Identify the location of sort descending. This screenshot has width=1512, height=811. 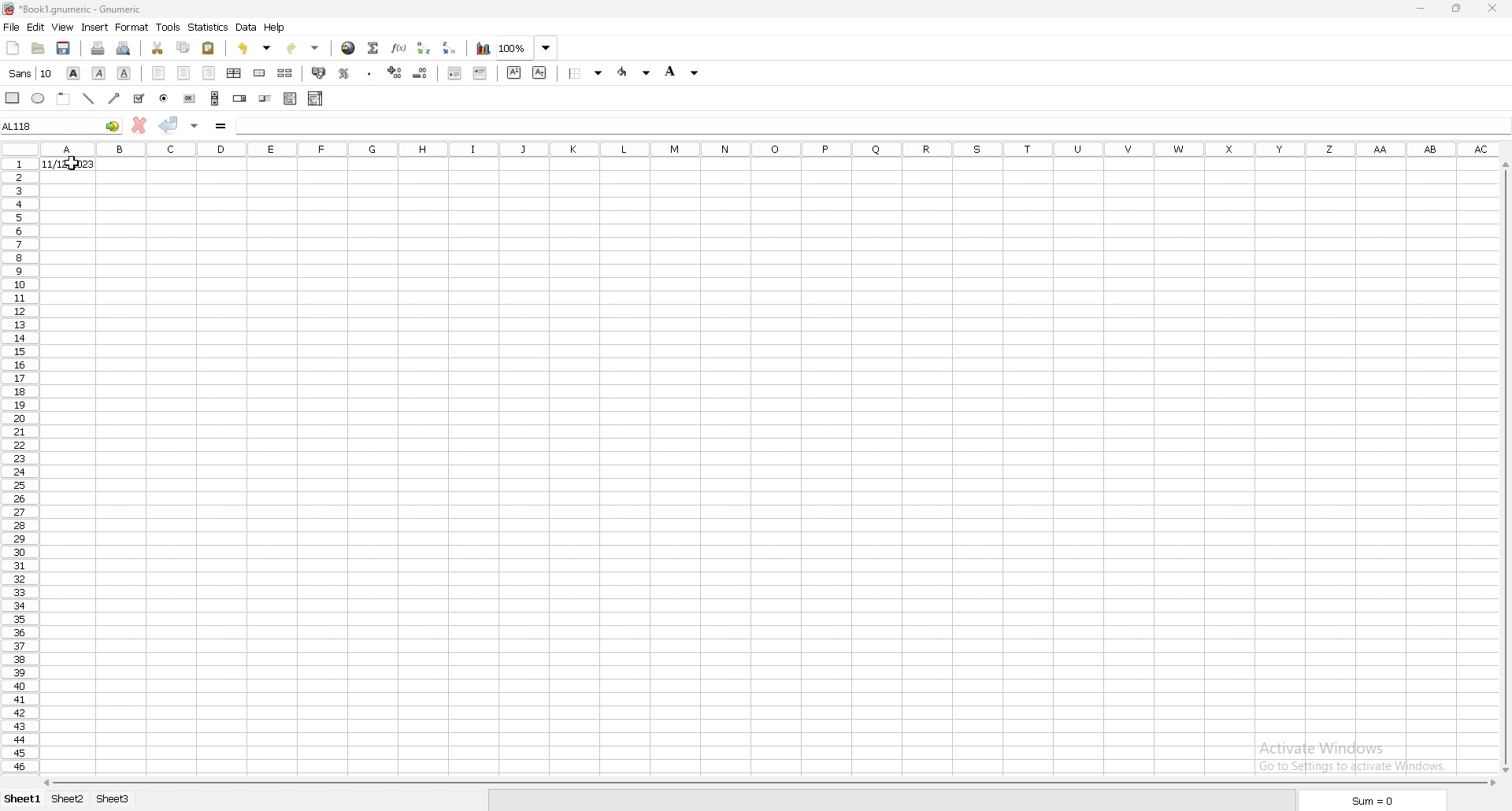
(451, 47).